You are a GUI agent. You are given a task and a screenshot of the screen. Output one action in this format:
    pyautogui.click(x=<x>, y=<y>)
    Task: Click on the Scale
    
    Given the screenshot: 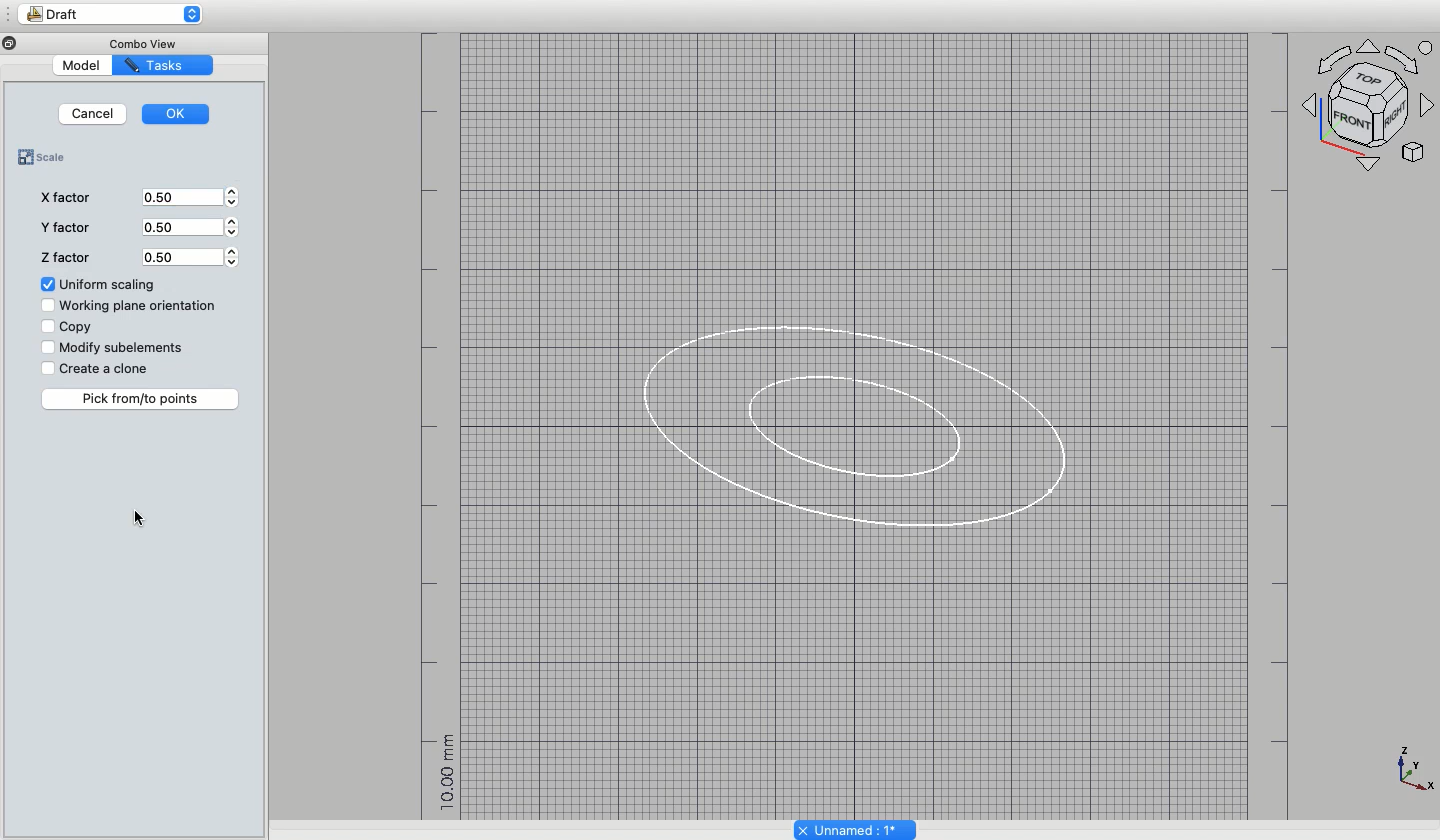 What is the action you would take?
    pyautogui.click(x=49, y=155)
    